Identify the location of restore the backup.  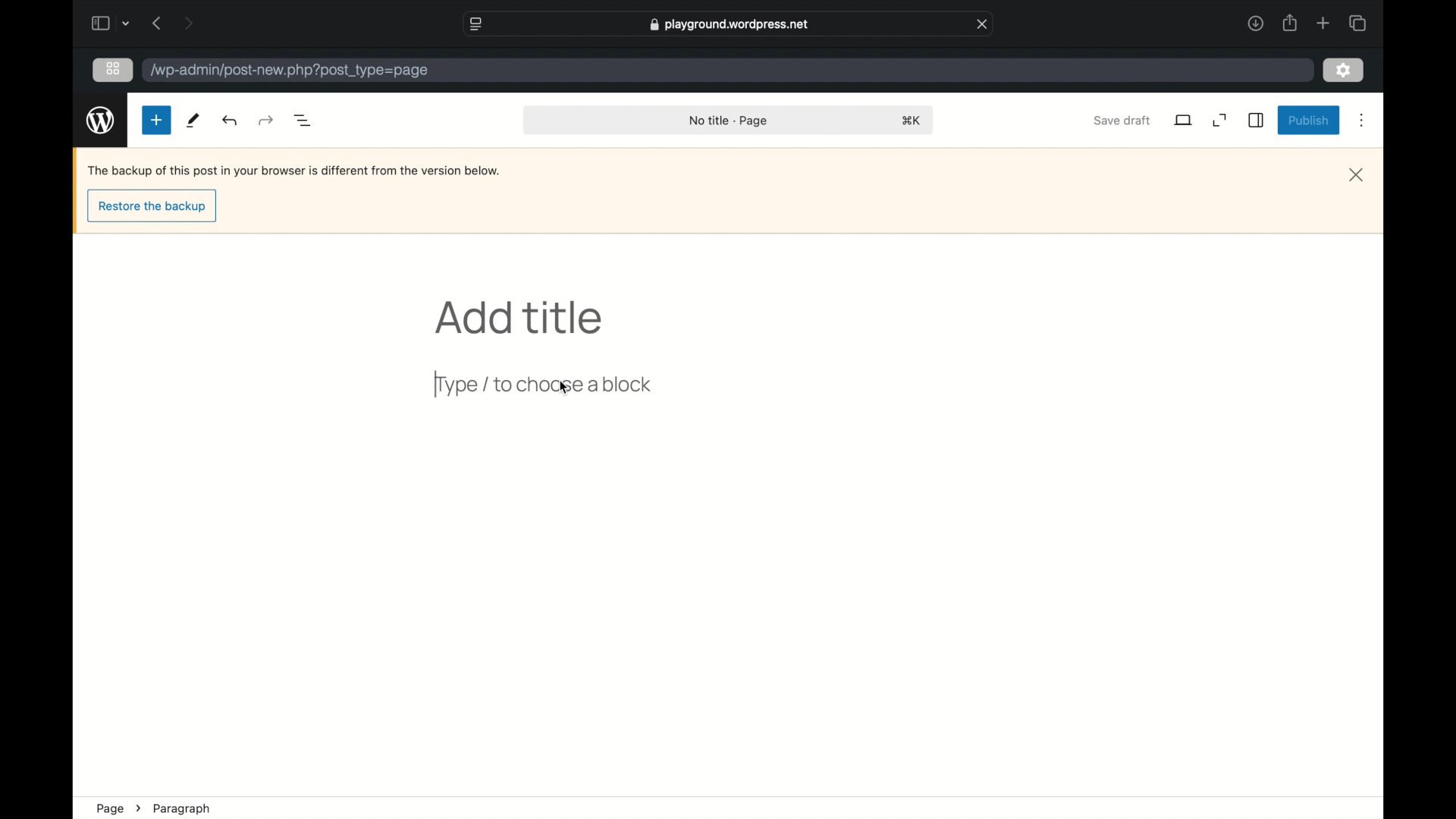
(152, 208).